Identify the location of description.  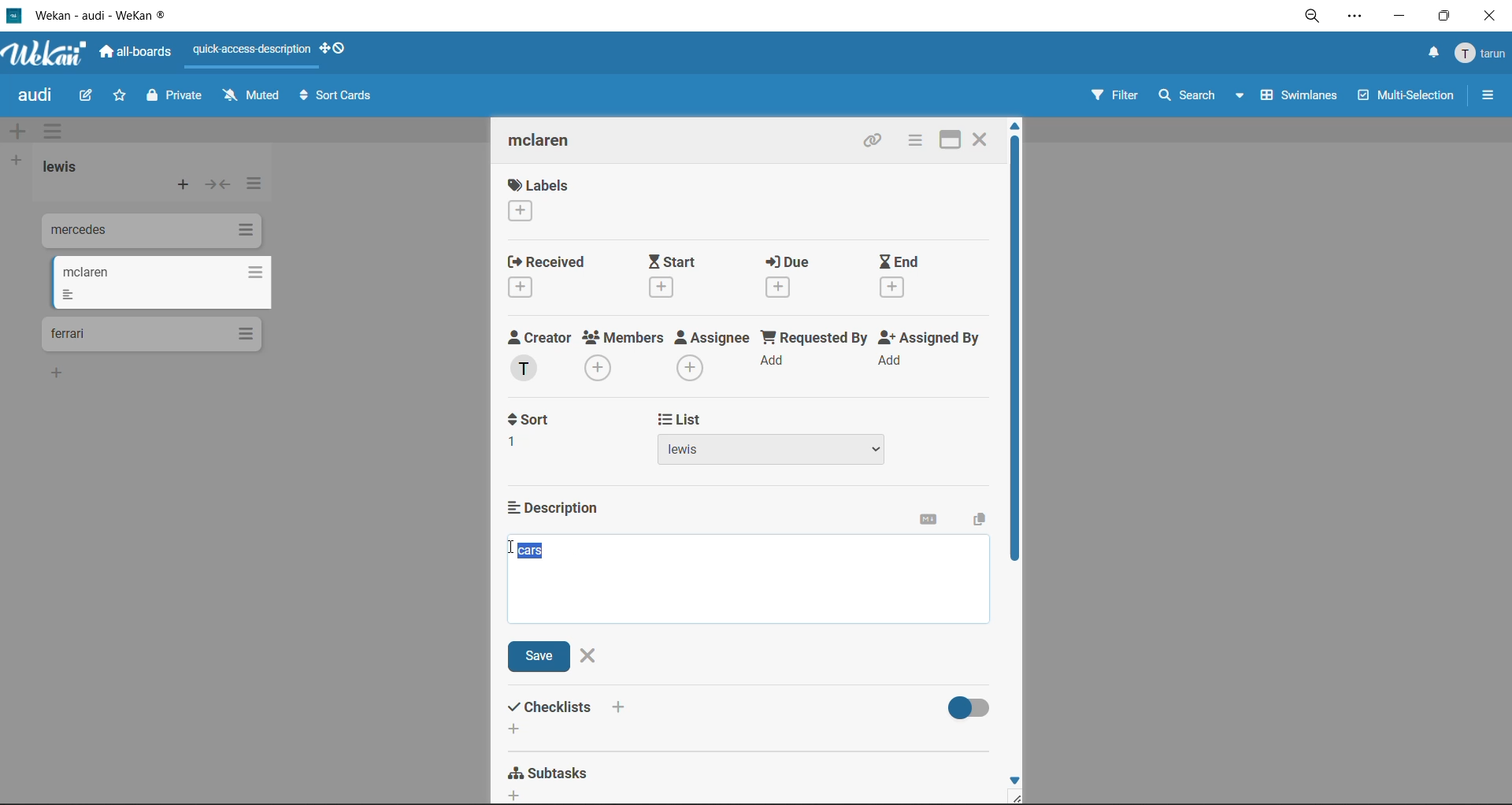
(561, 507).